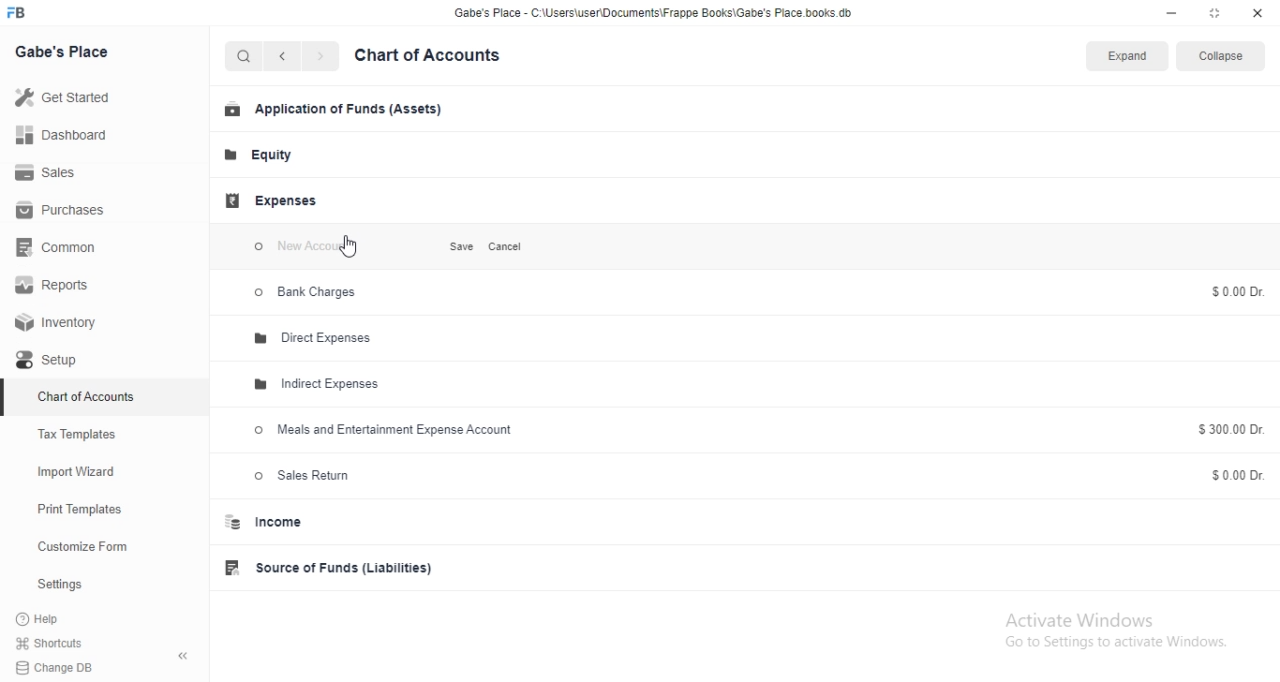 The height and width of the screenshot is (682, 1280). Describe the element at coordinates (279, 524) in the screenshot. I see `Income` at that location.